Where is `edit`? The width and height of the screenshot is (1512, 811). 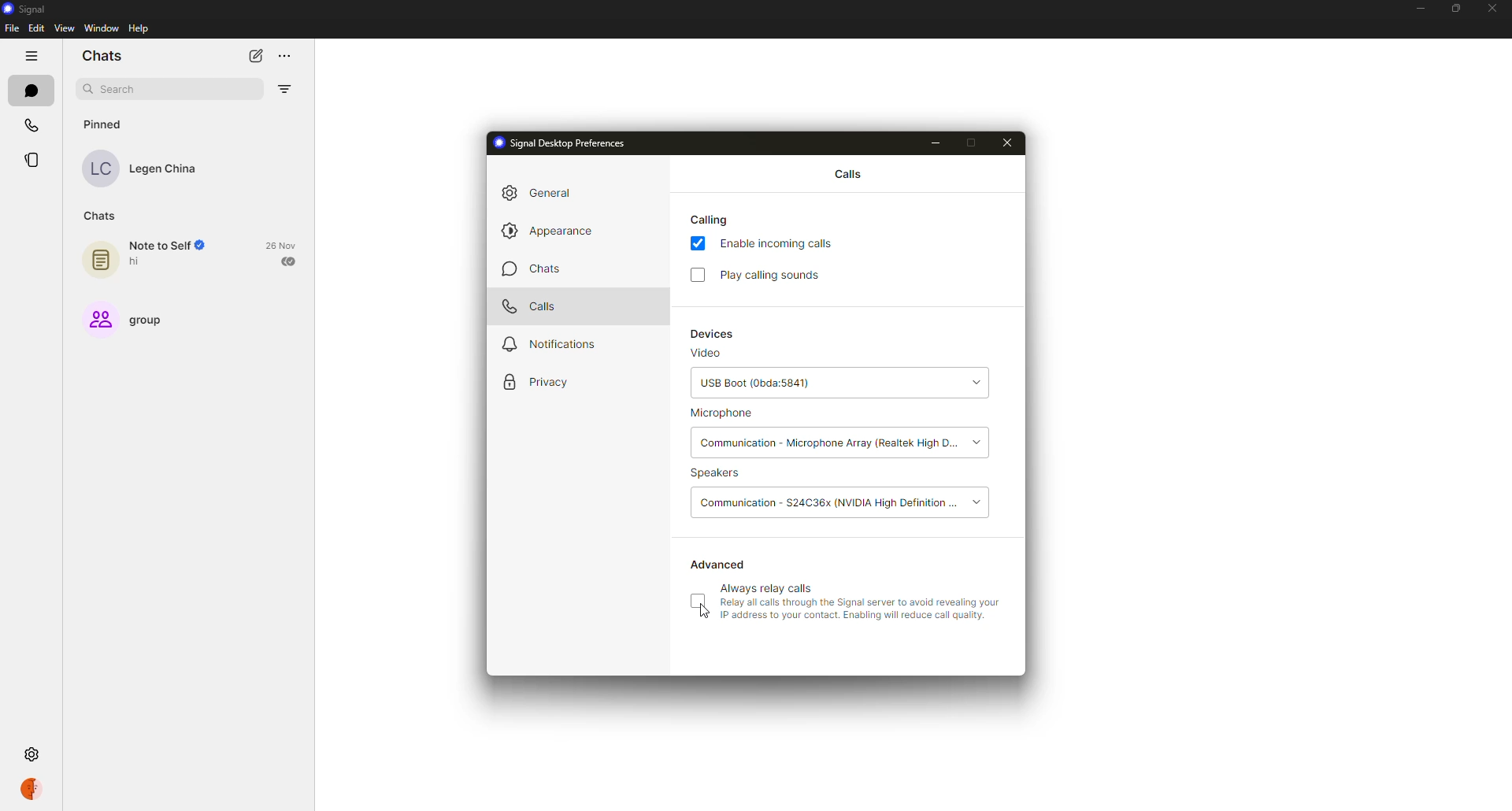 edit is located at coordinates (35, 30).